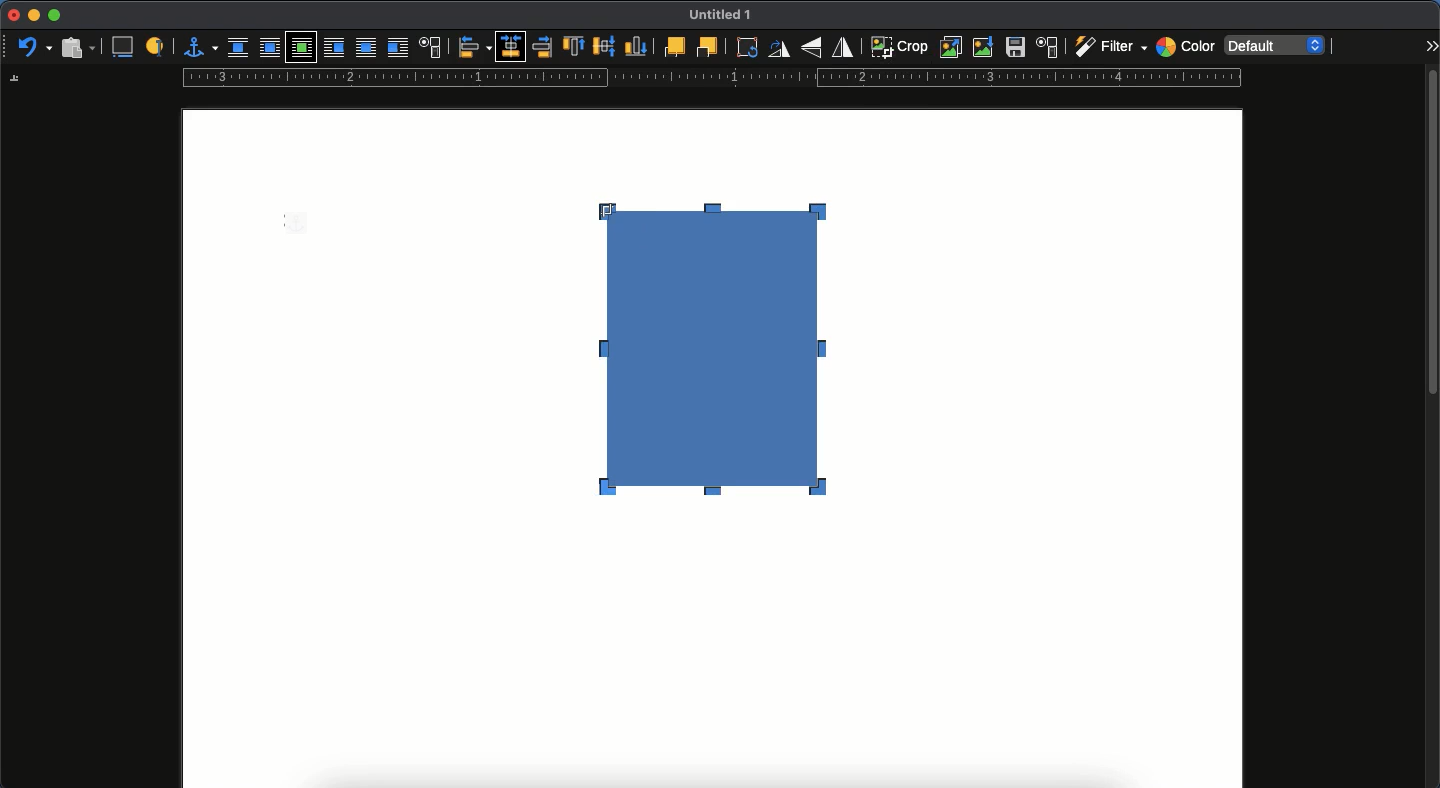 The width and height of the screenshot is (1440, 788). I want to click on expand, so click(1431, 45).